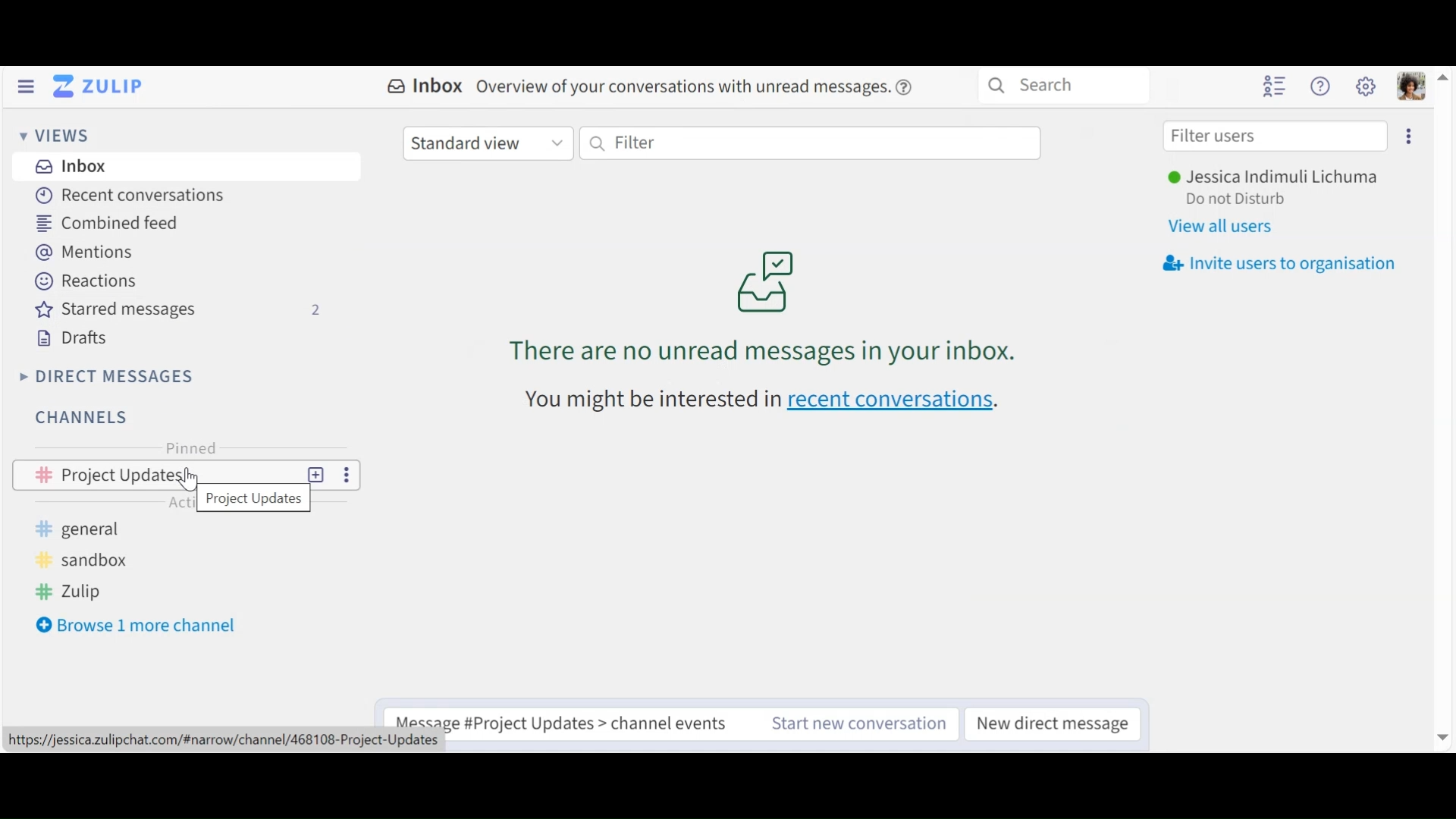  Describe the element at coordinates (1048, 723) in the screenshot. I see `New Direct messages` at that location.